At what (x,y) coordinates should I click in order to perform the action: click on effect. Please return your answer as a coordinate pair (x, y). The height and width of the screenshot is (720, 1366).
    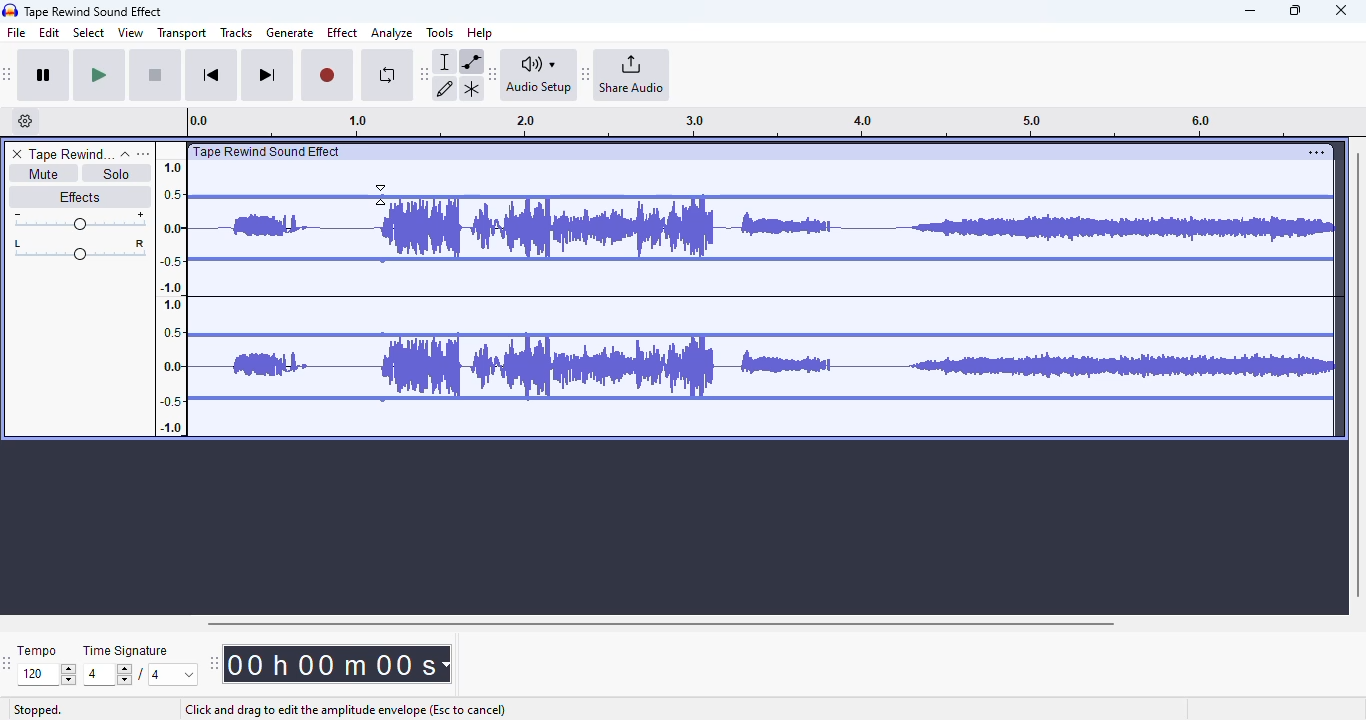
    Looking at the image, I should click on (342, 32).